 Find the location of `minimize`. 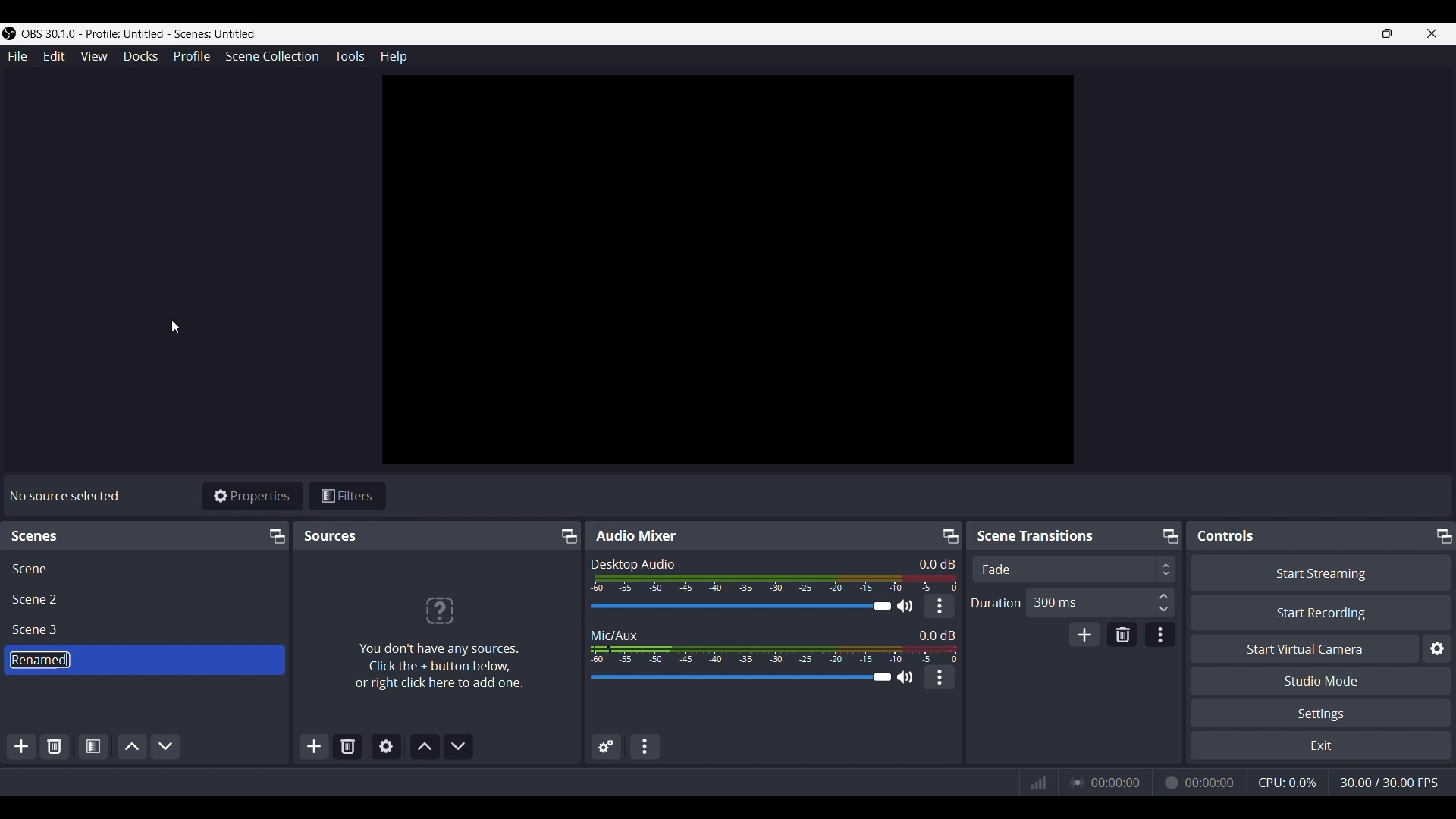

minimize is located at coordinates (1342, 33).